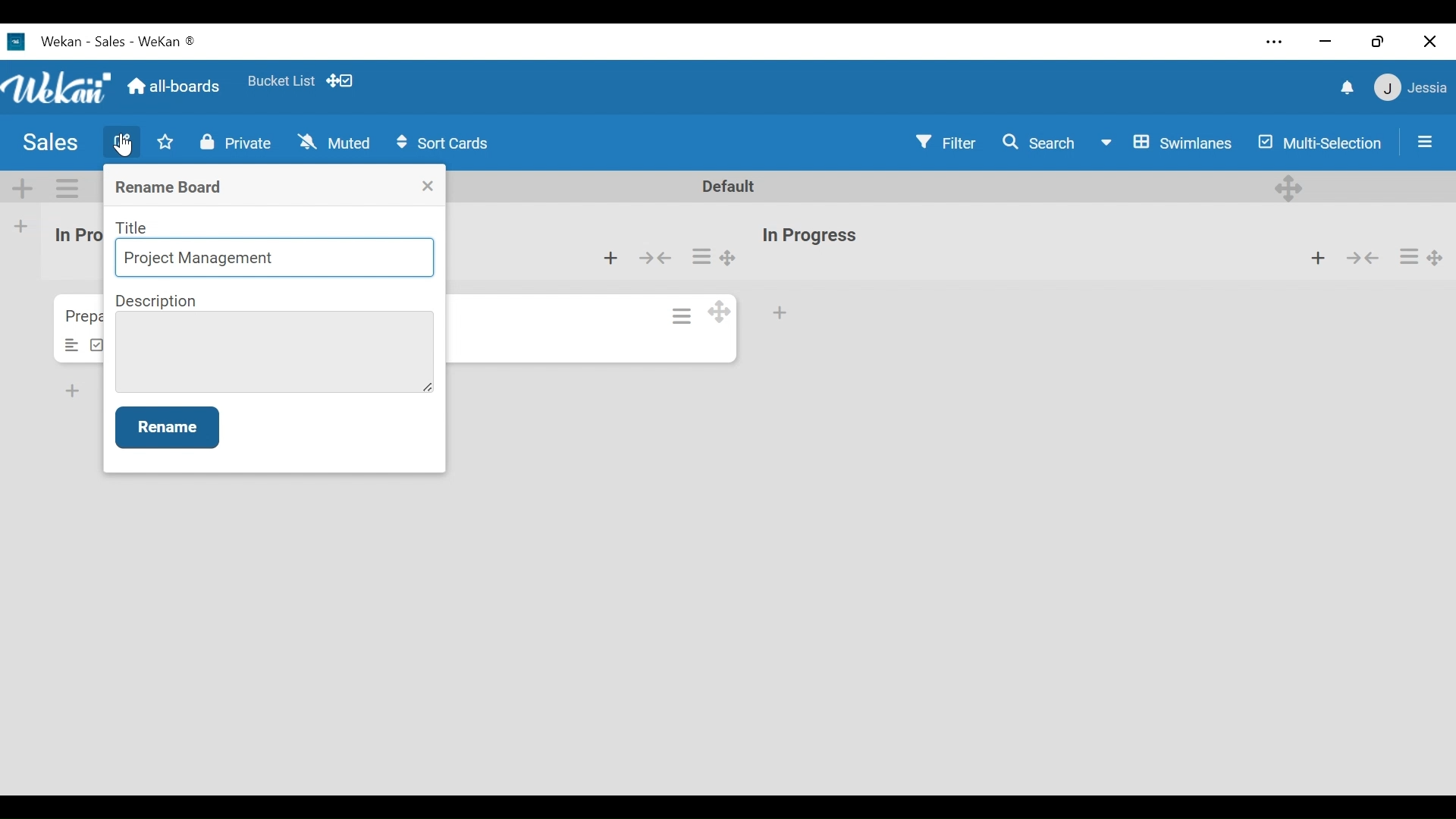  I want to click on Desktop drag handle, so click(718, 311).